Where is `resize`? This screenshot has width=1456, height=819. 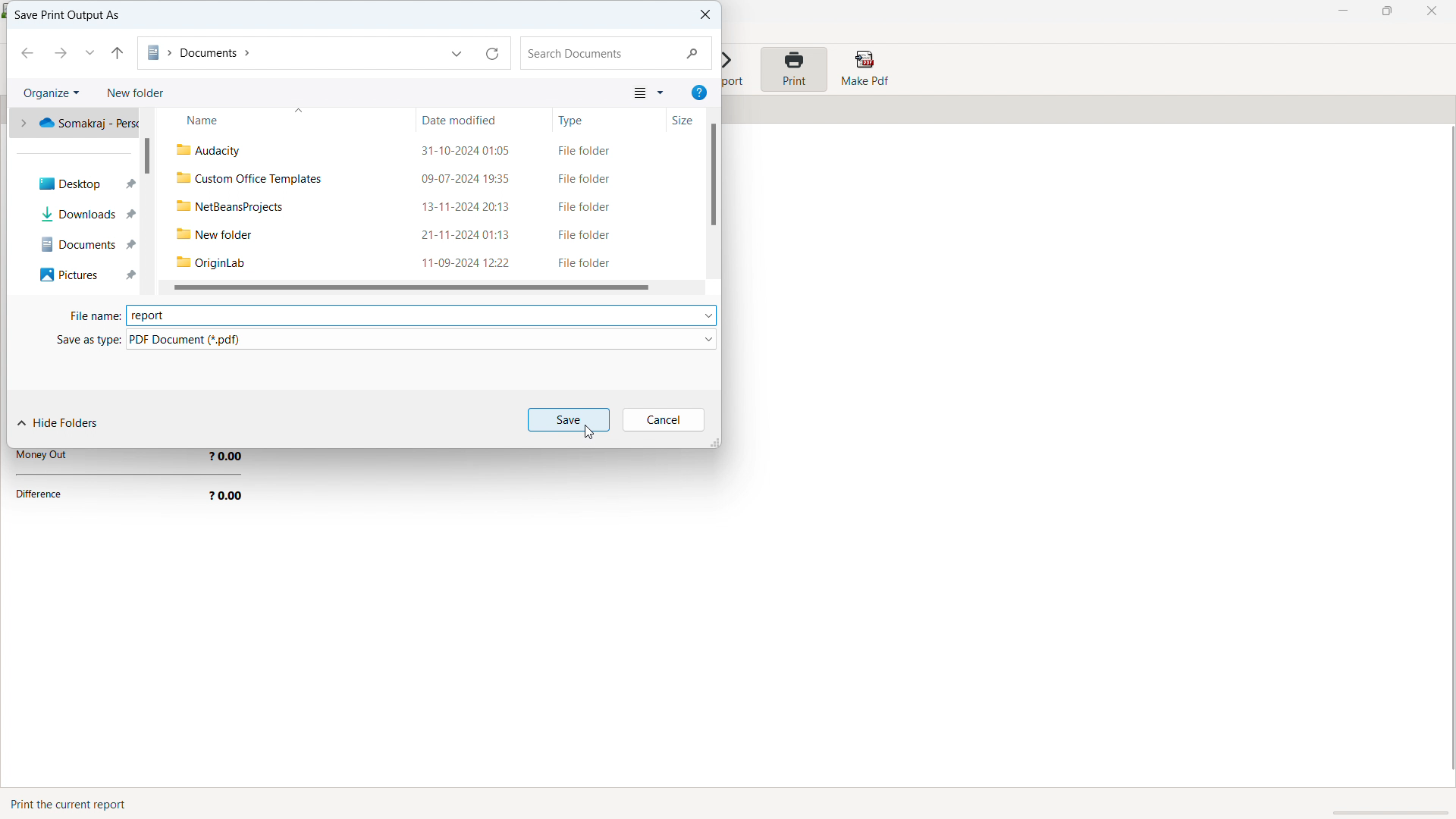 resize is located at coordinates (714, 441).